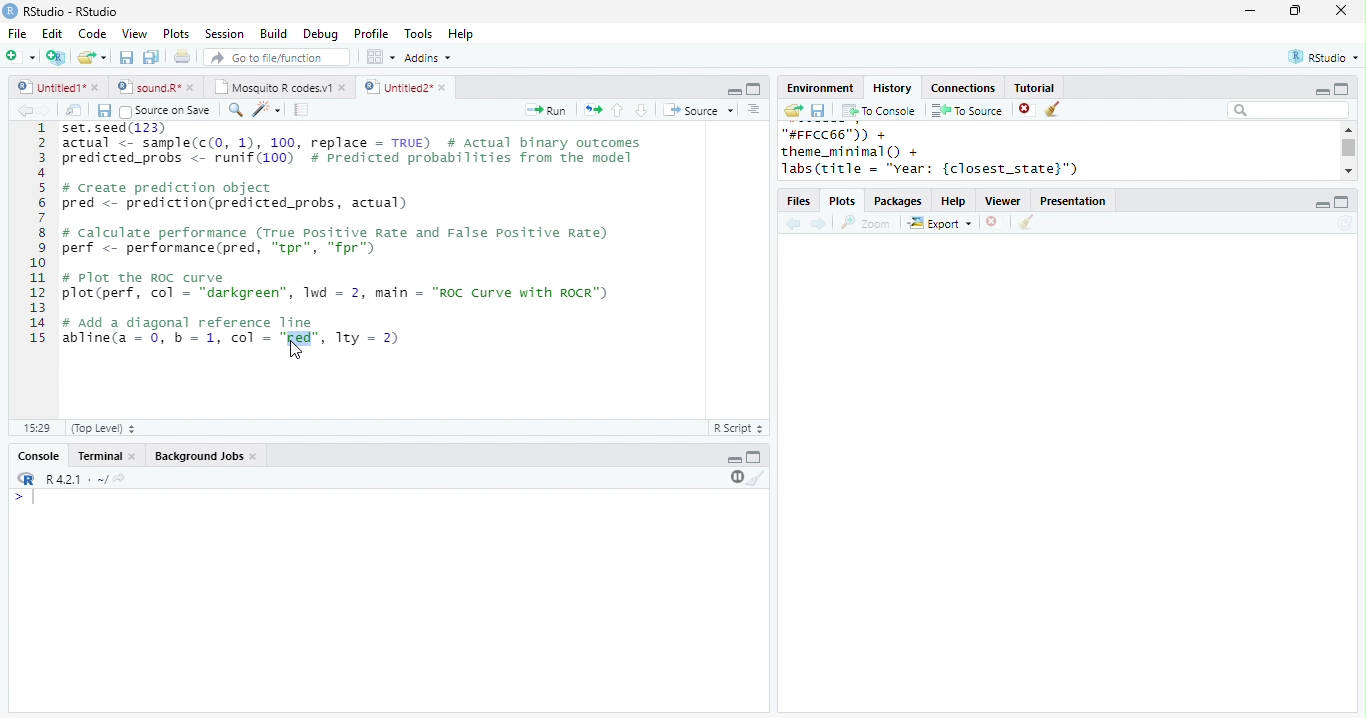 The image size is (1366, 718). Describe the element at coordinates (17, 34) in the screenshot. I see `File` at that location.